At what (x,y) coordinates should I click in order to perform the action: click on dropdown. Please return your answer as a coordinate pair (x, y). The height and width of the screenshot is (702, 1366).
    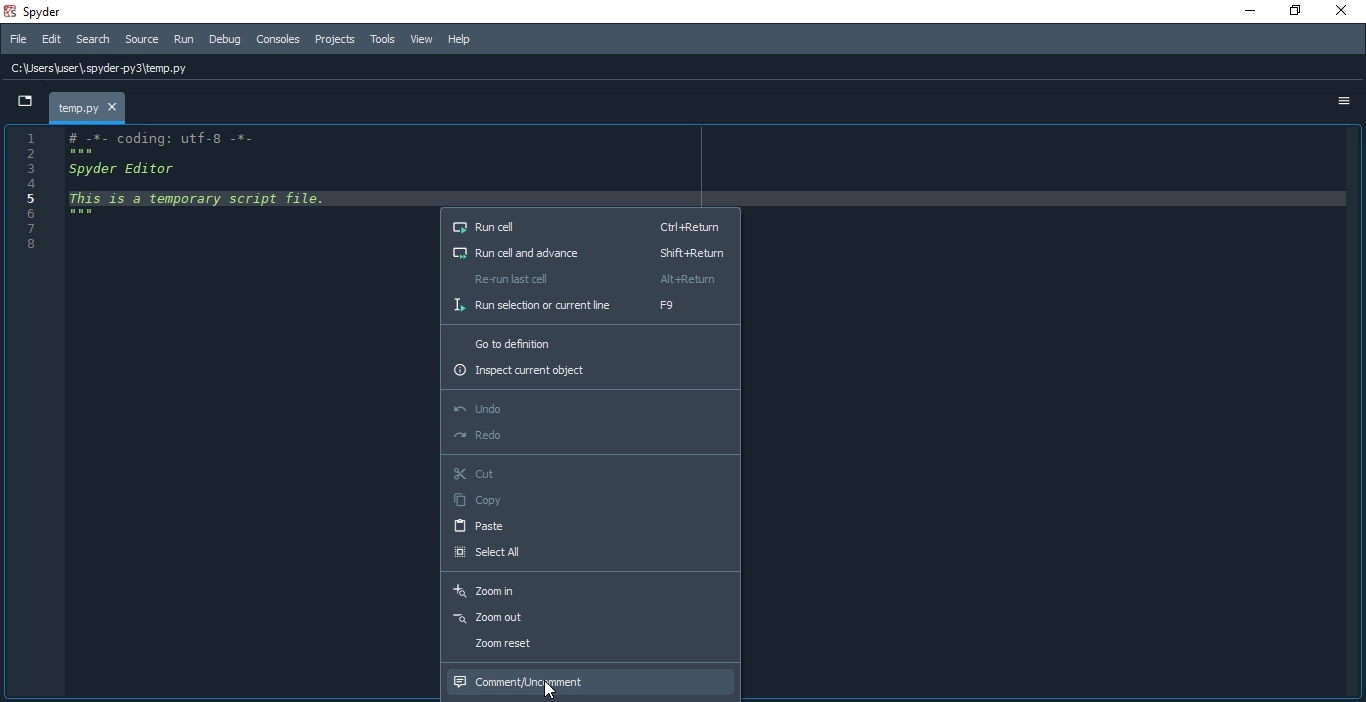
    Looking at the image, I should click on (24, 102).